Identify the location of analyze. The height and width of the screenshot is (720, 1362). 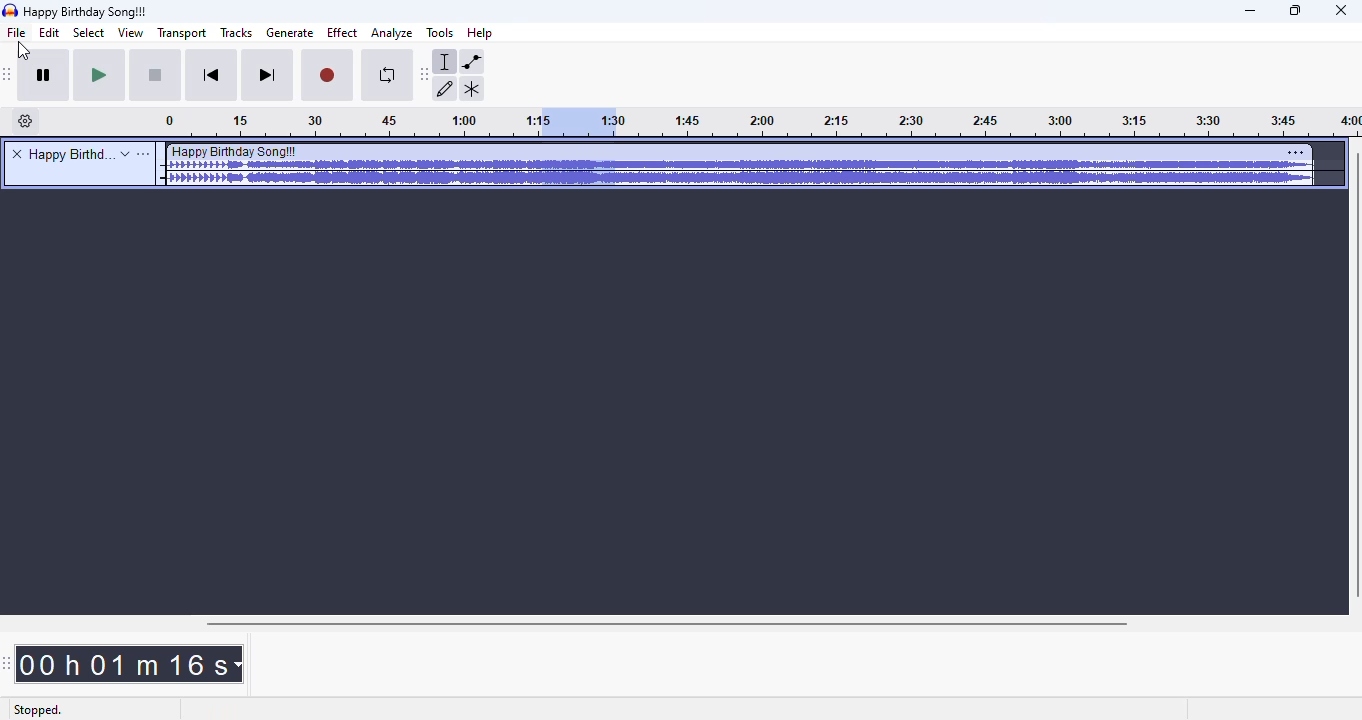
(392, 34).